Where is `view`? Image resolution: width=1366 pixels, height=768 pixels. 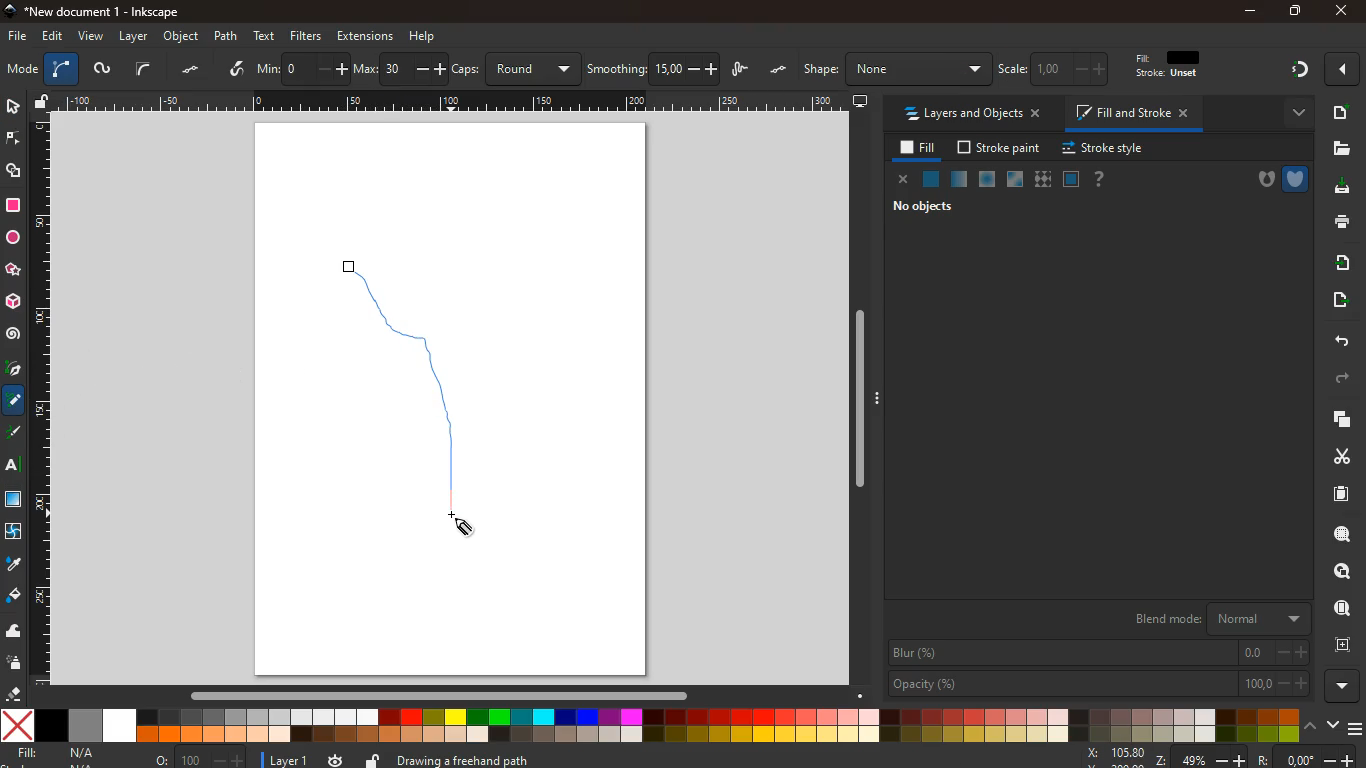
view is located at coordinates (90, 37).